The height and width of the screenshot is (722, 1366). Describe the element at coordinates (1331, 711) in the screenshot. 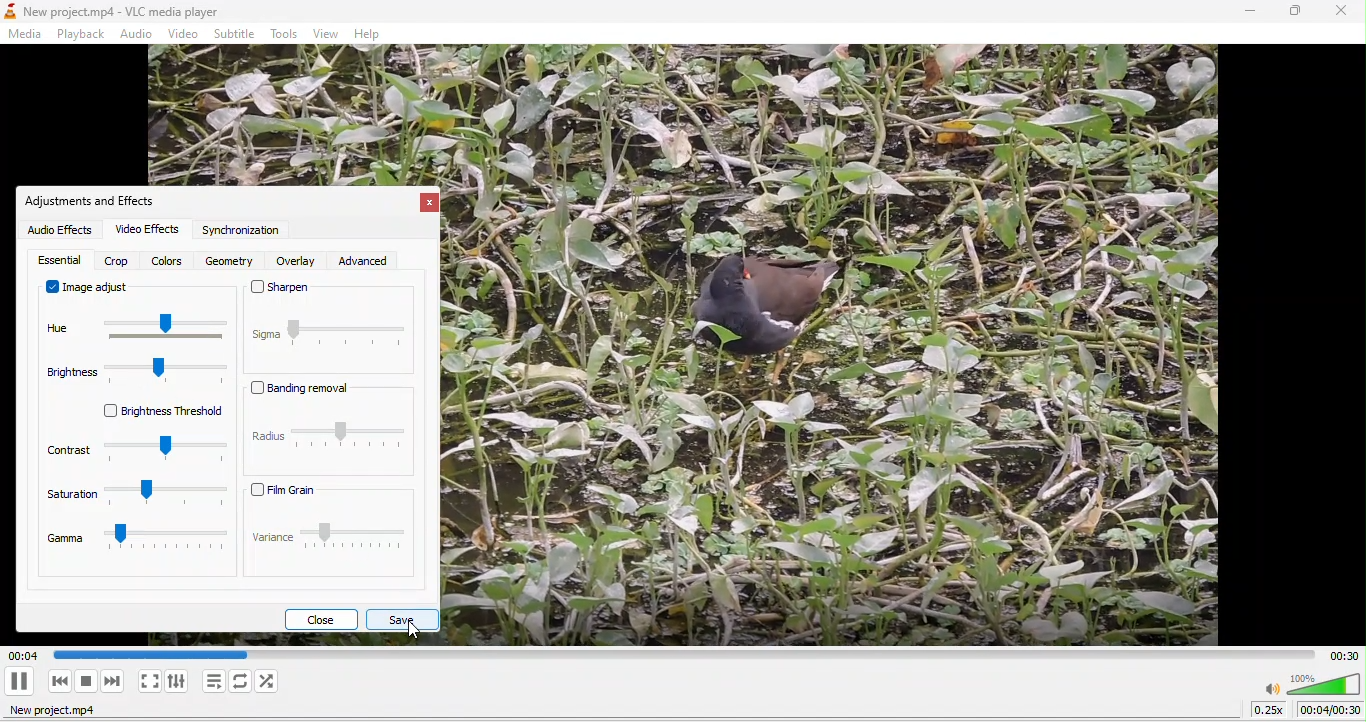

I see `00.01/ 00.30` at that location.